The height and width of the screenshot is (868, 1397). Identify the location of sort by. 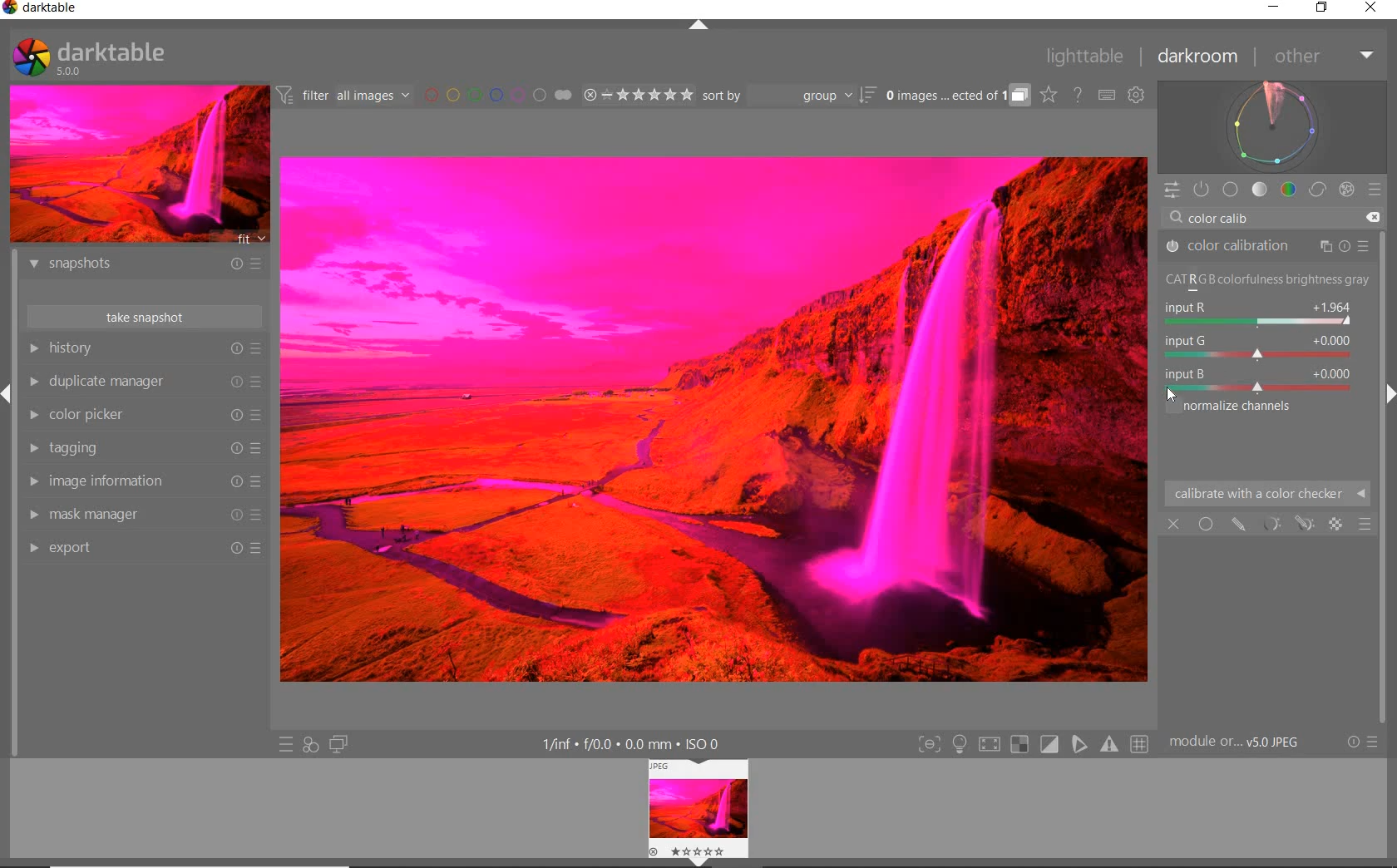
(789, 95).